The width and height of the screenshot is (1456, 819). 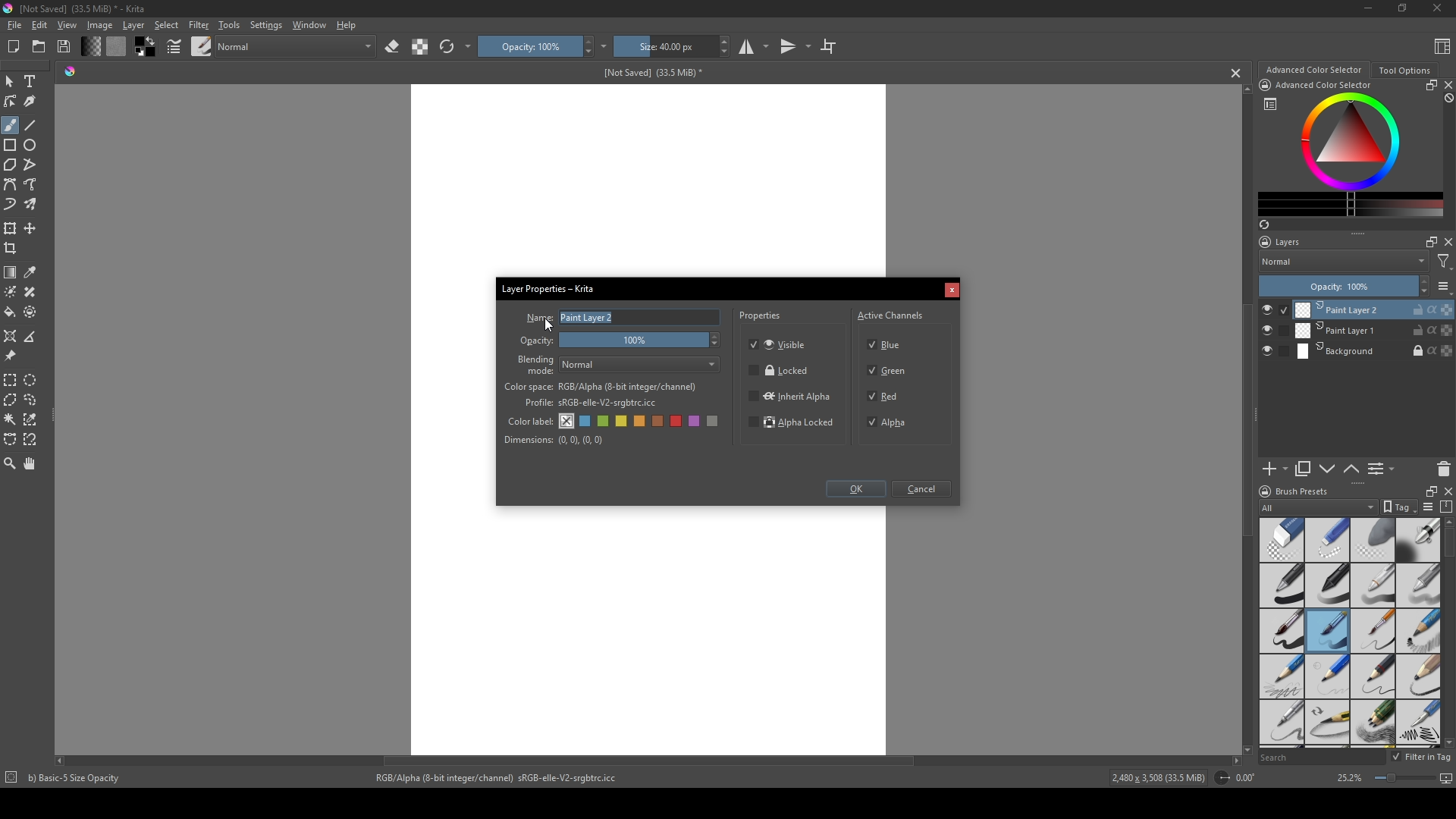 I want to click on b) Basic-5 Size Opacity, so click(x=77, y=778).